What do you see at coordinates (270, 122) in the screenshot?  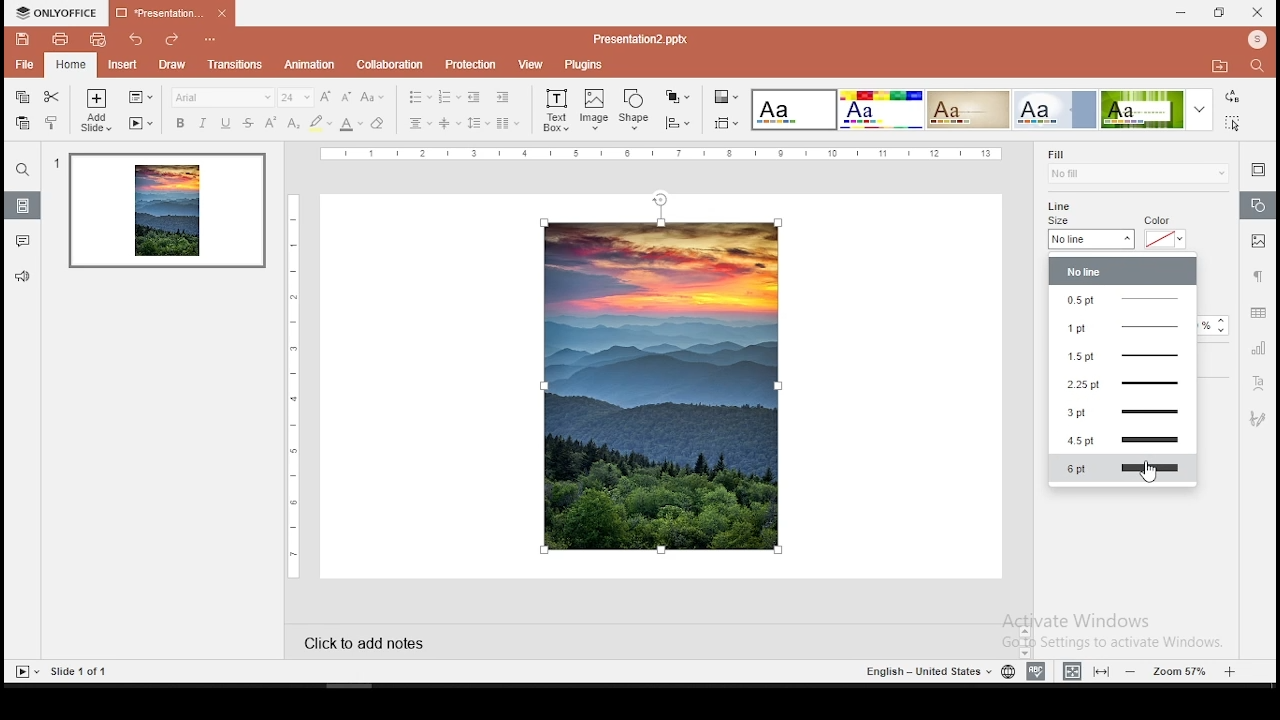 I see `superscript` at bounding box center [270, 122].